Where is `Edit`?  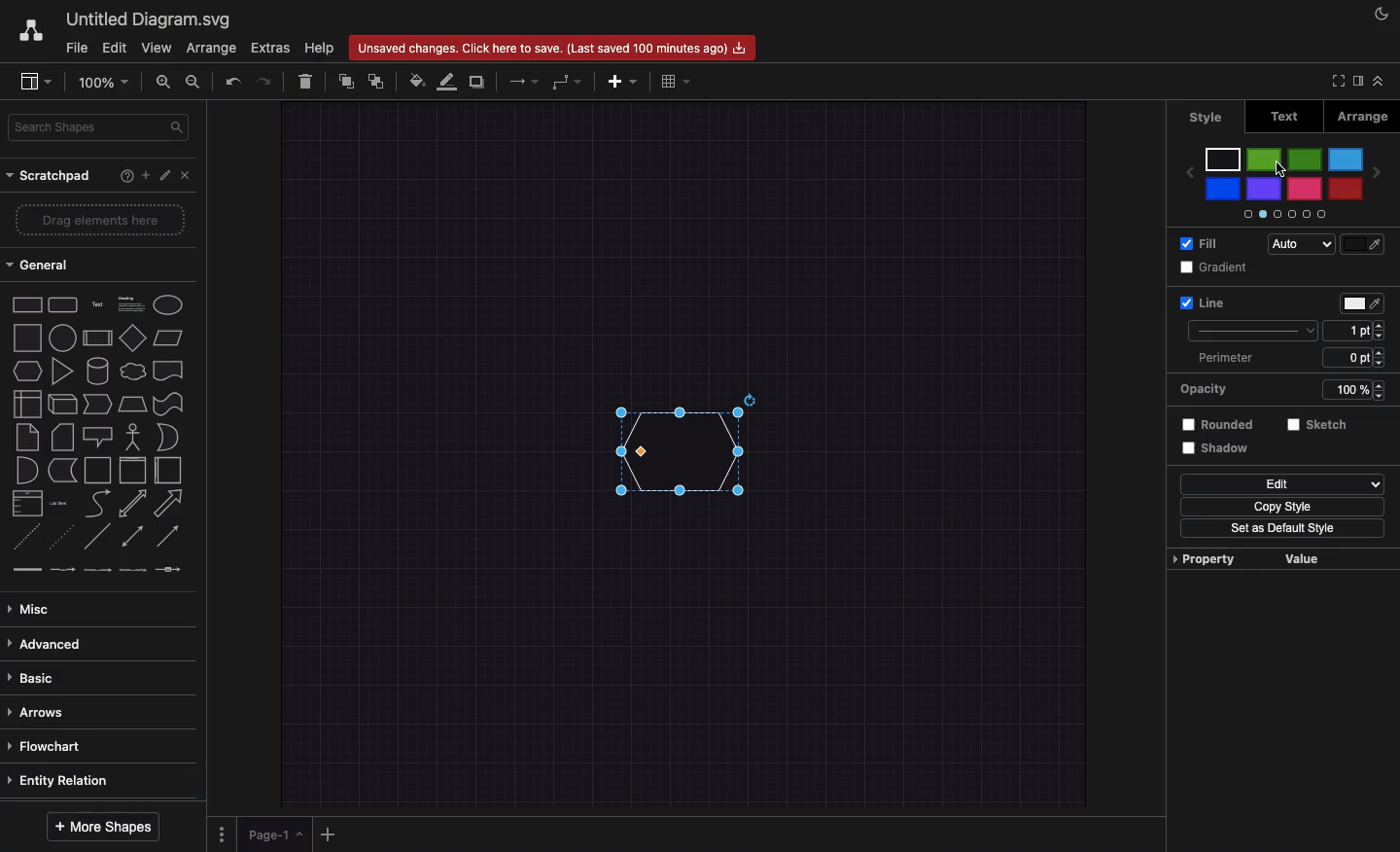 Edit is located at coordinates (168, 177).